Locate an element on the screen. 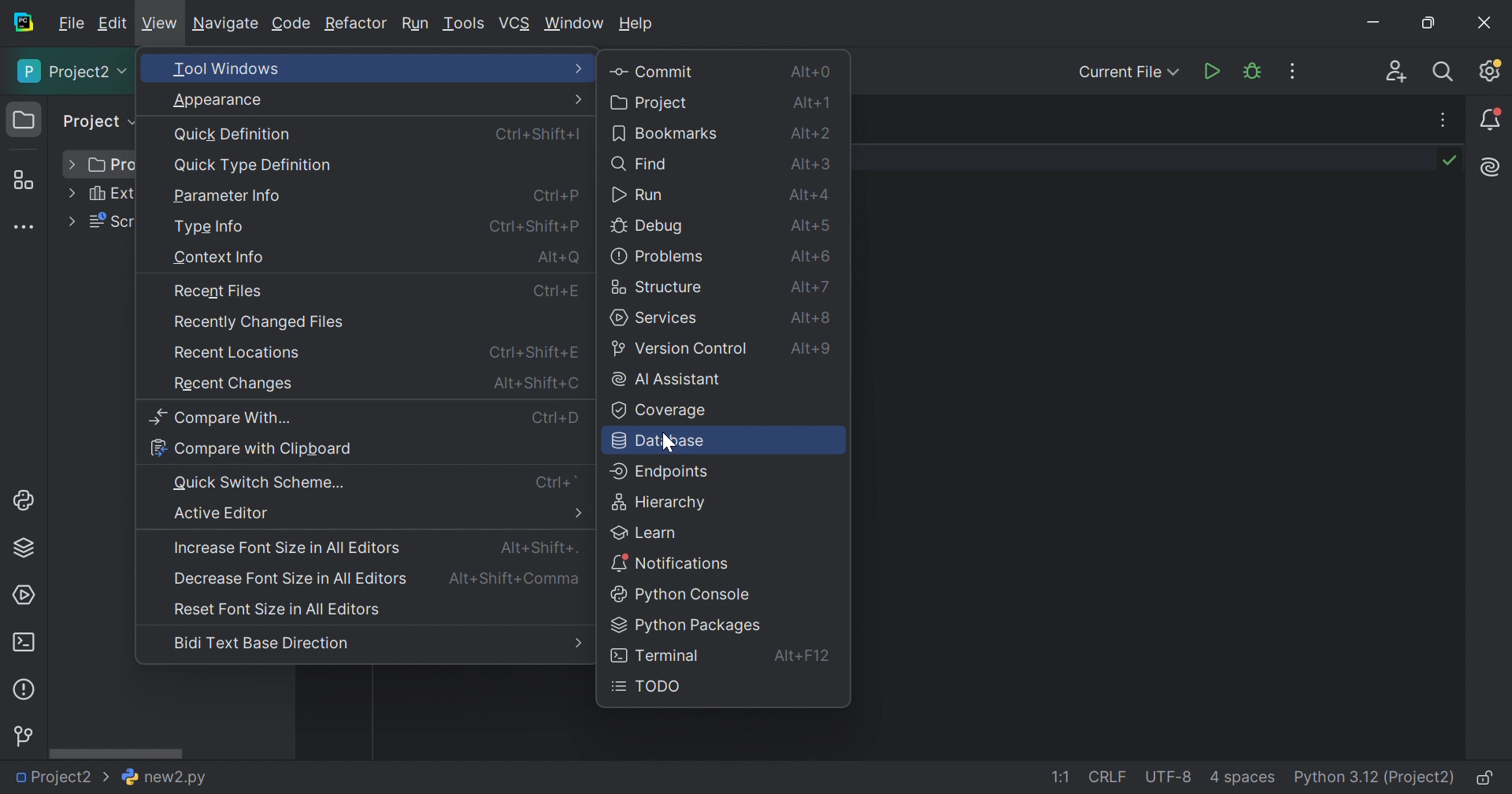 Image resolution: width=1512 pixels, height=794 pixels. Python Console is located at coordinates (28, 501).